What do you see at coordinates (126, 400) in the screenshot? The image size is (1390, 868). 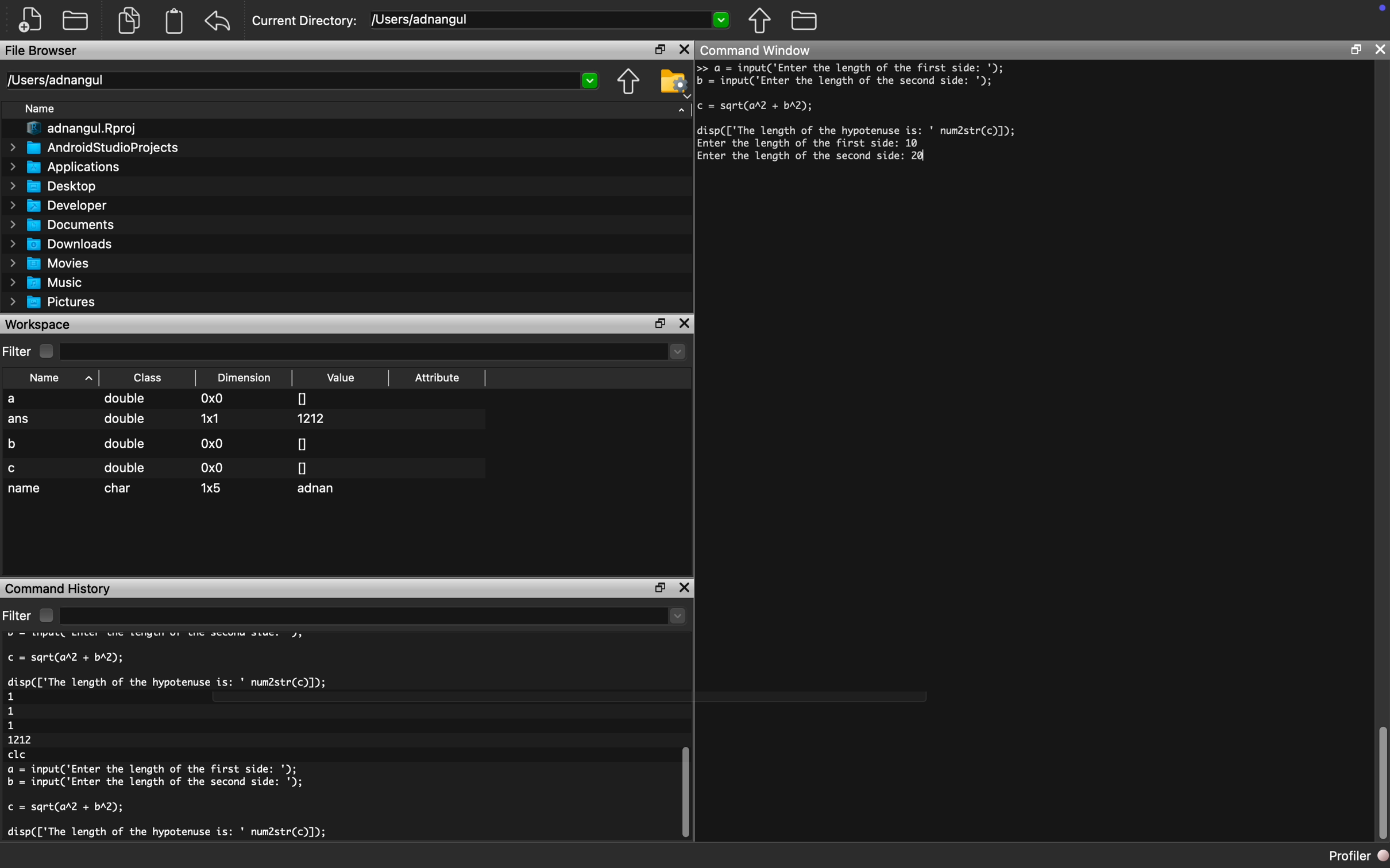 I see `double` at bounding box center [126, 400].